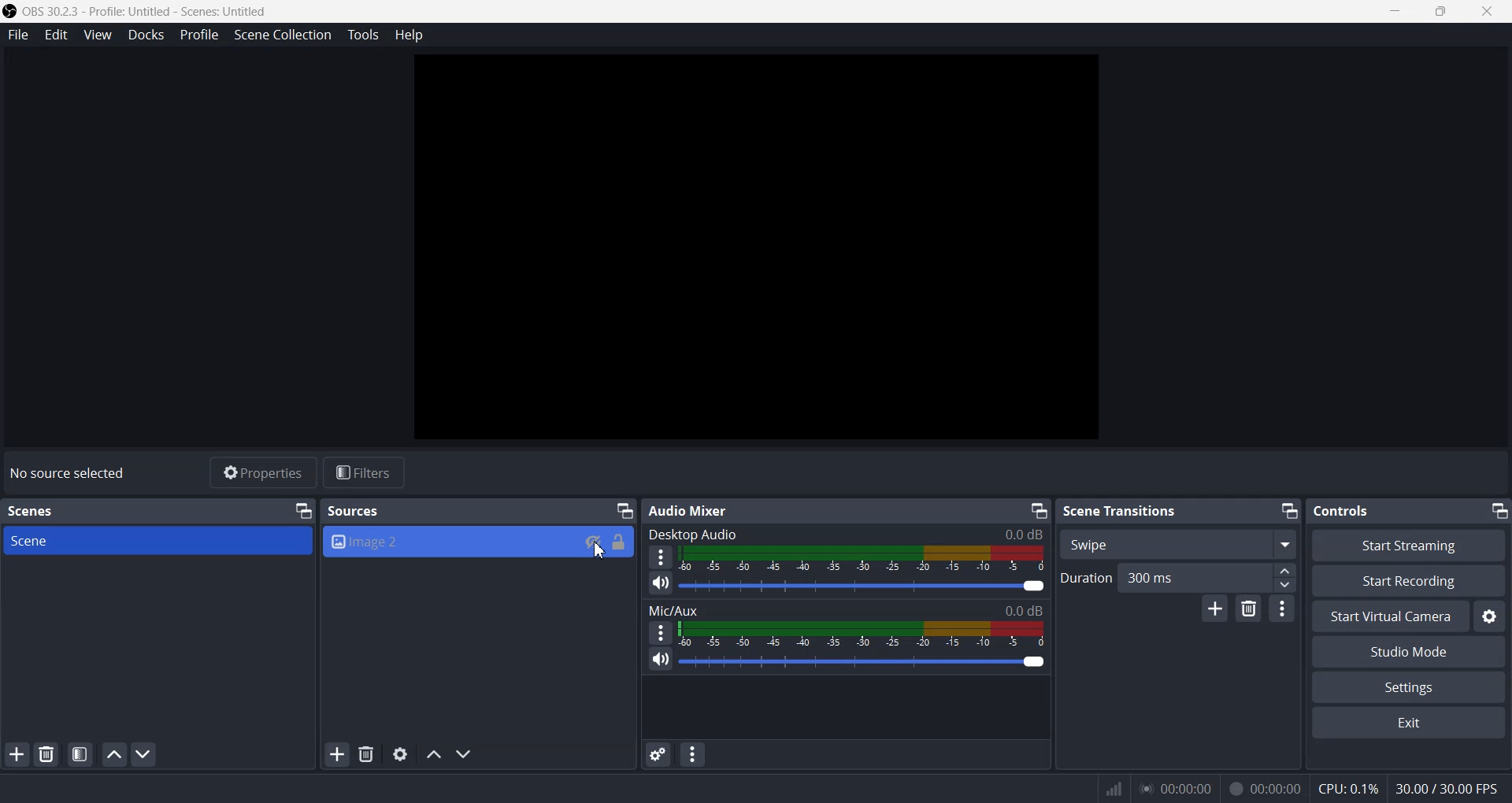  I want to click on Start Virtual Camera, so click(1388, 616).